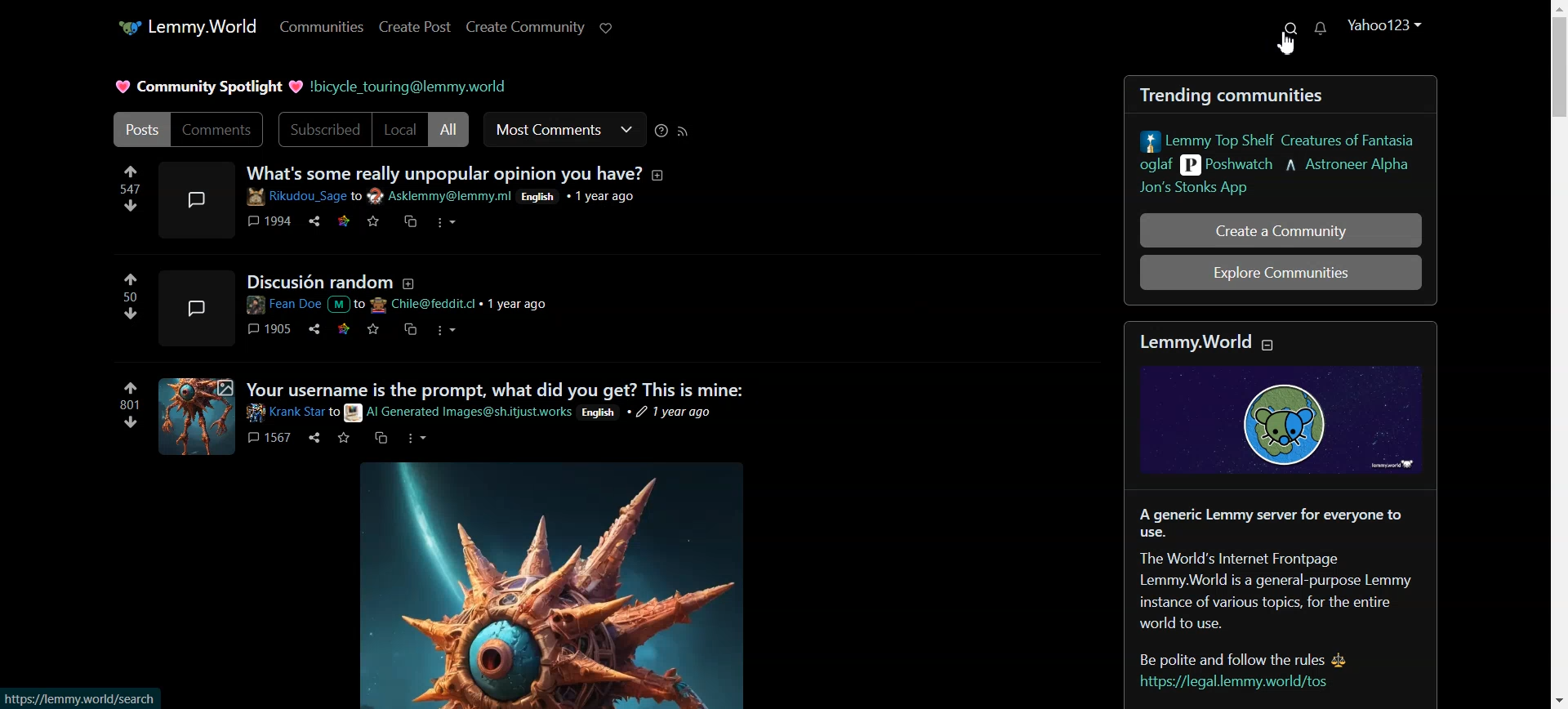 This screenshot has height=709, width=1568. I want to click on share, so click(313, 221).